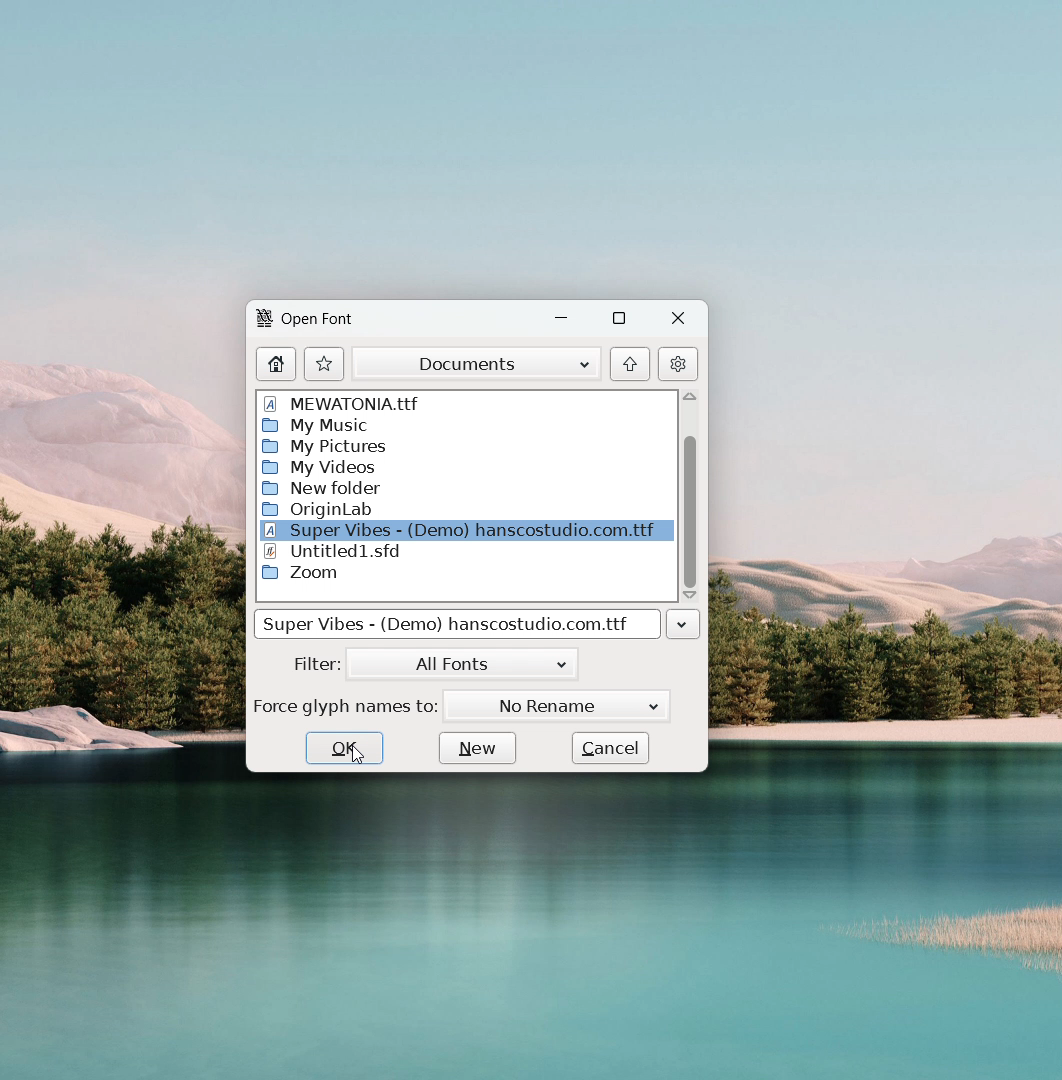  I want to click on documents, so click(479, 363).